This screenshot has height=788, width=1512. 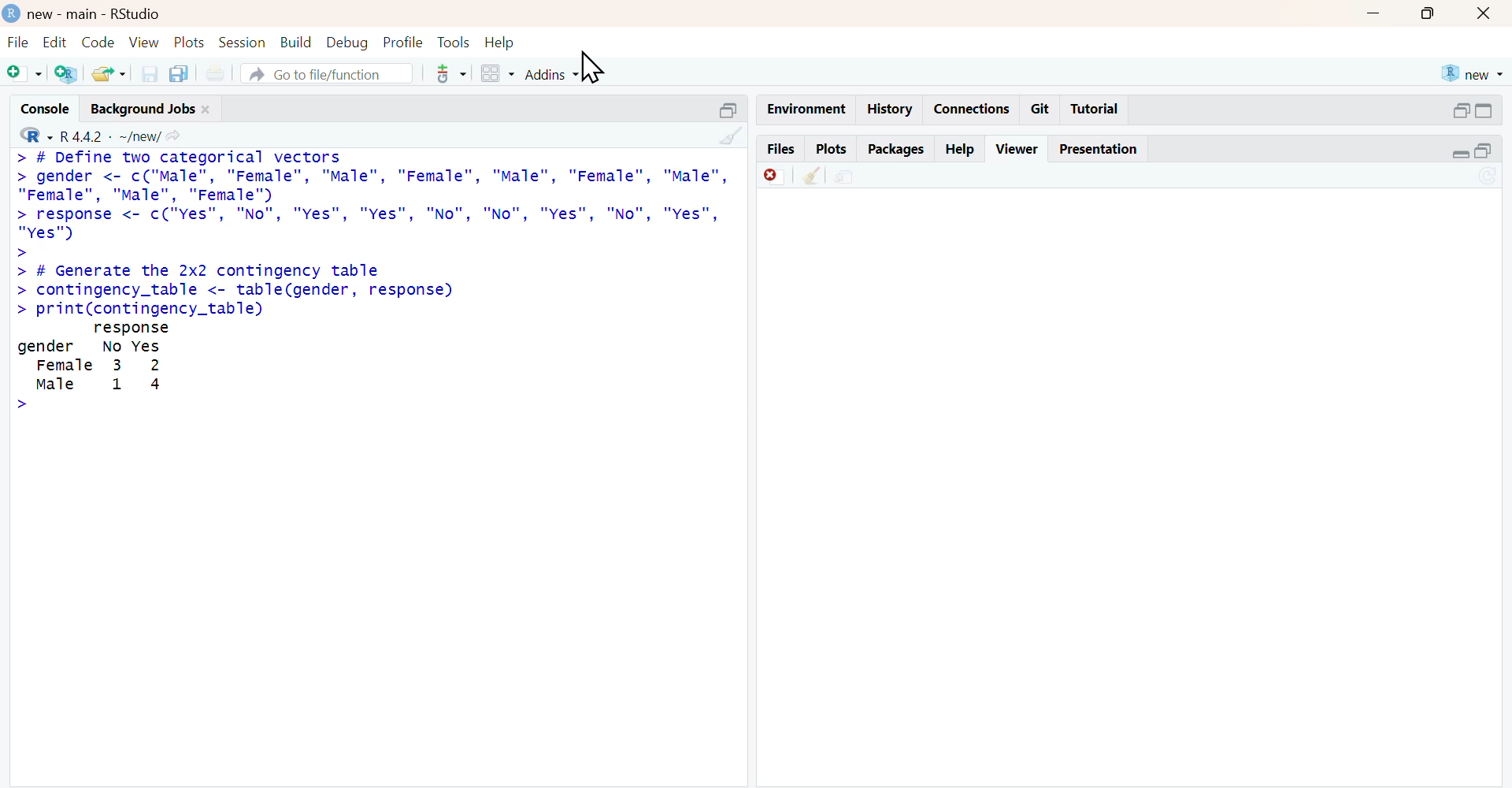 I want to click on file, so click(x=20, y=43).